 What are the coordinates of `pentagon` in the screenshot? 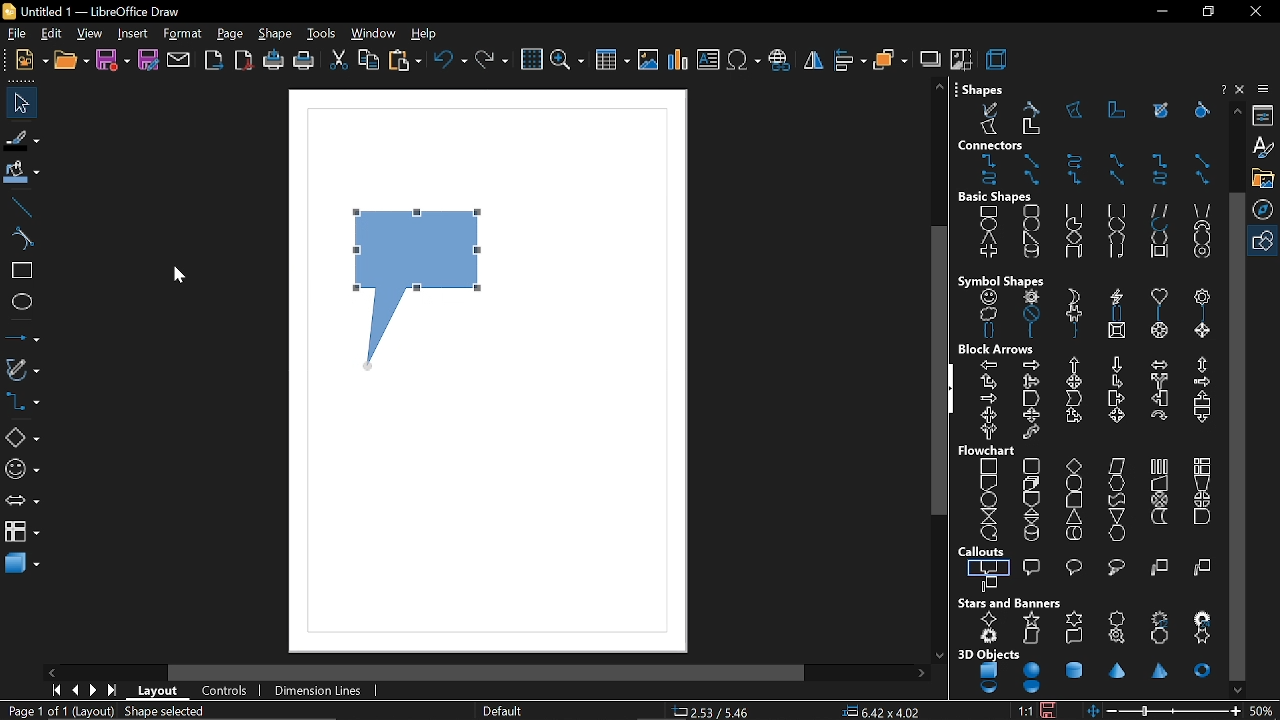 It's located at (1031, 398).